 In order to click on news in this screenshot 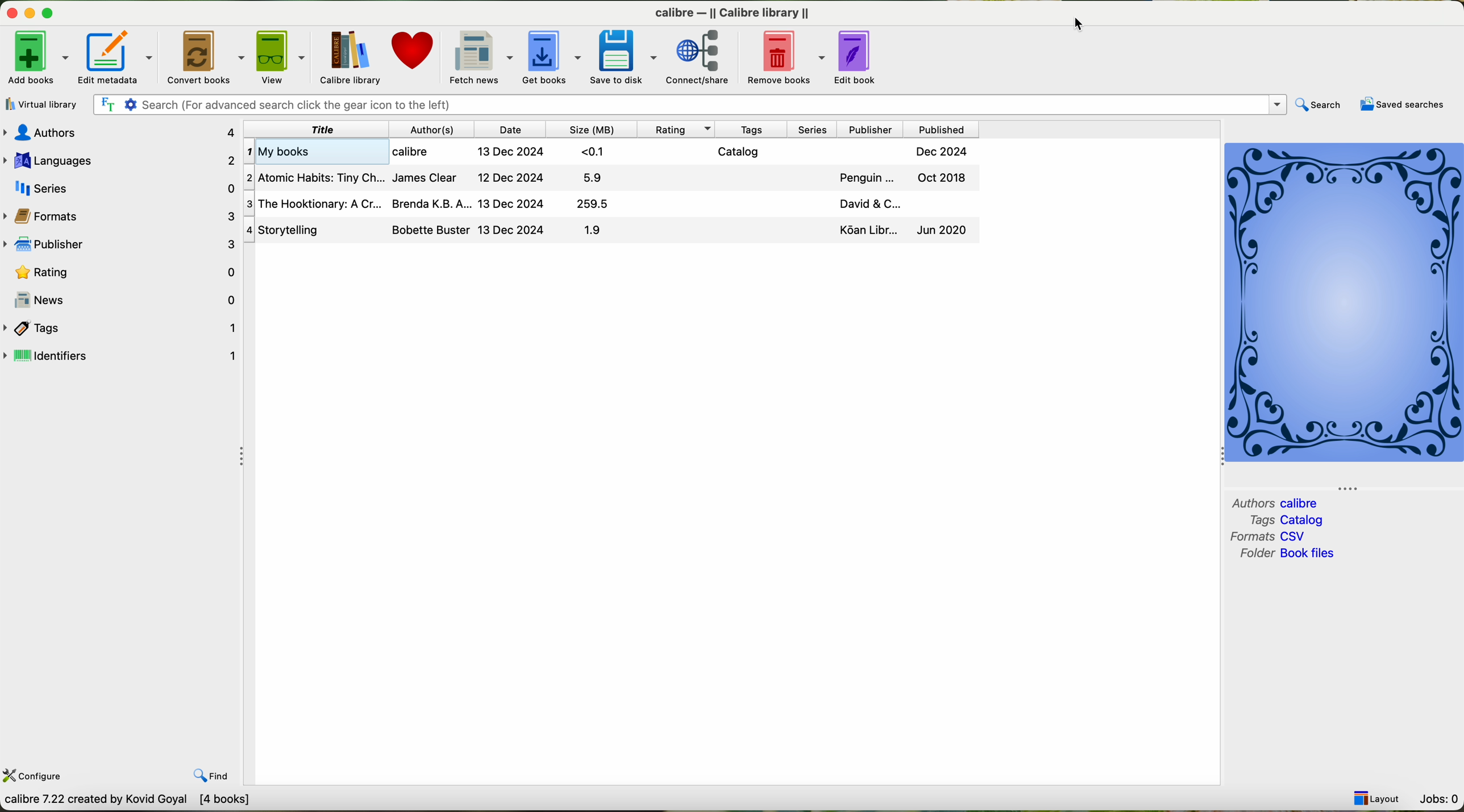, I will do `click(120, 299)`.